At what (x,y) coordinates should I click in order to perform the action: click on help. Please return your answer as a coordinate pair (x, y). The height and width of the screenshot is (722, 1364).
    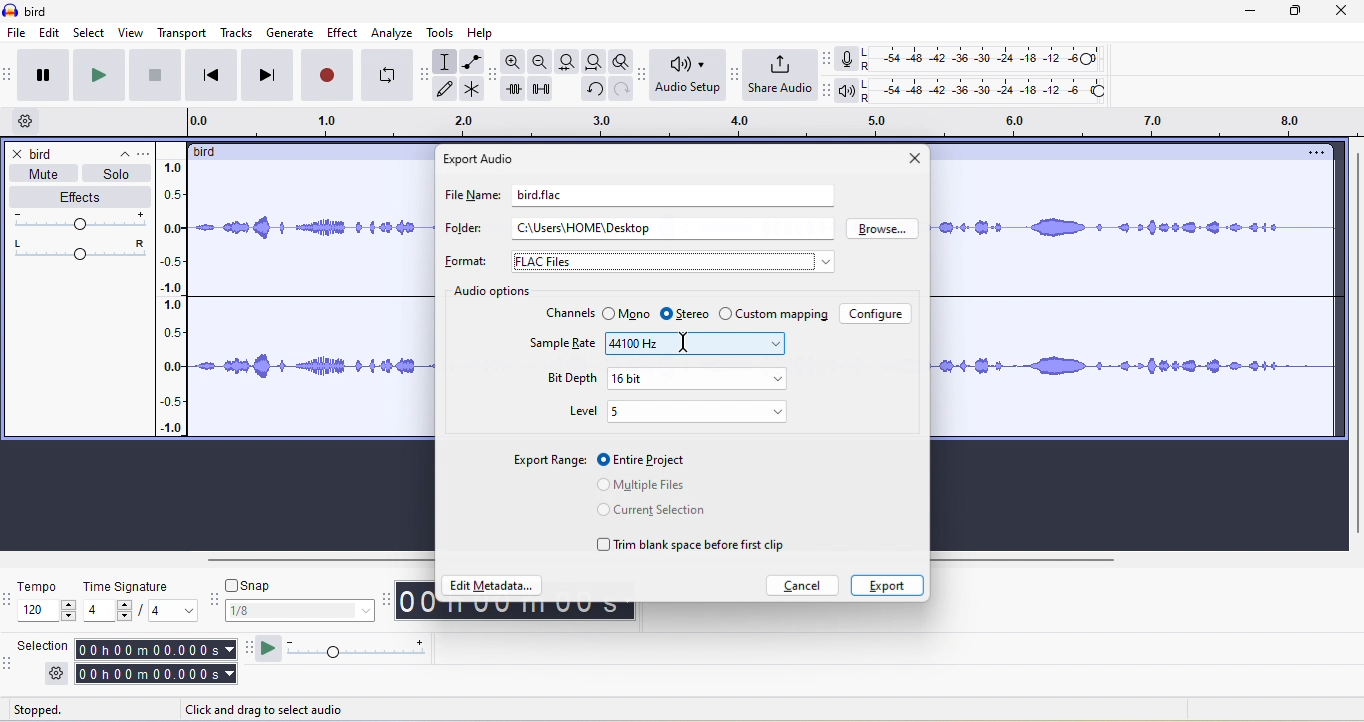
    Looking at the image, I should click on (485, 33).